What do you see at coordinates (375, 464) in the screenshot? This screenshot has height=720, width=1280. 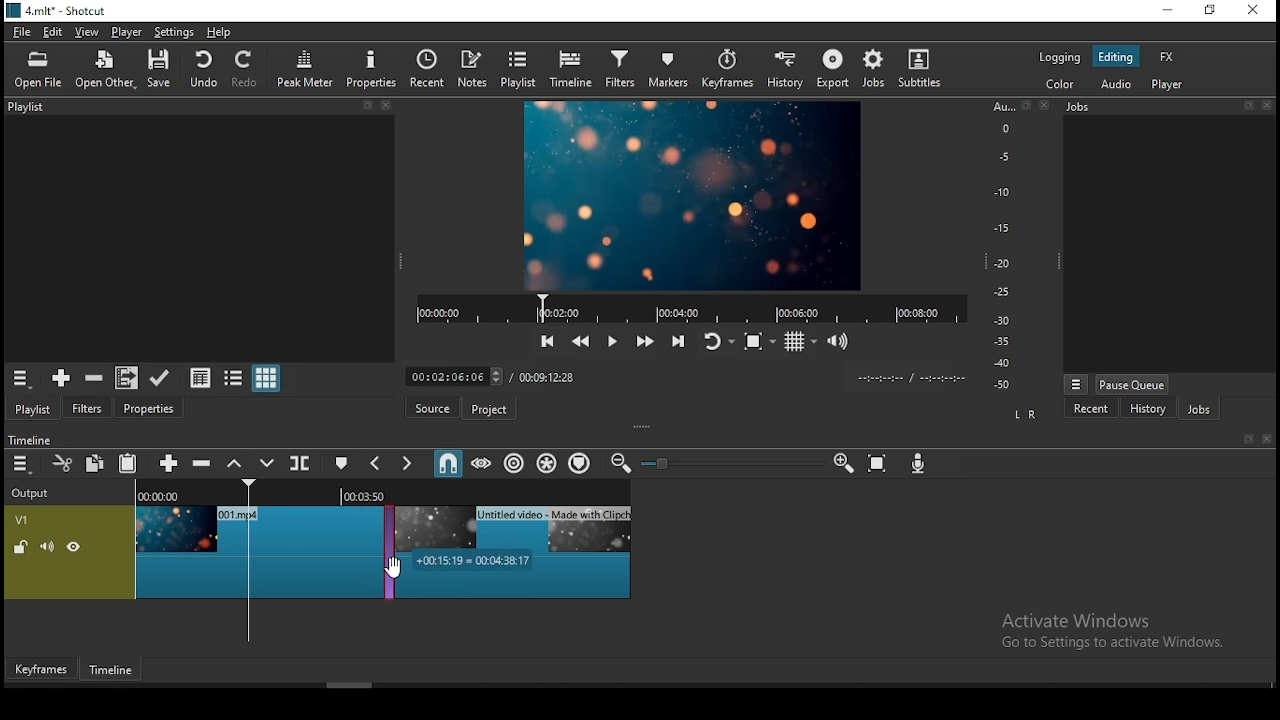 I see `previous marker` at bounding box center [375, 464].